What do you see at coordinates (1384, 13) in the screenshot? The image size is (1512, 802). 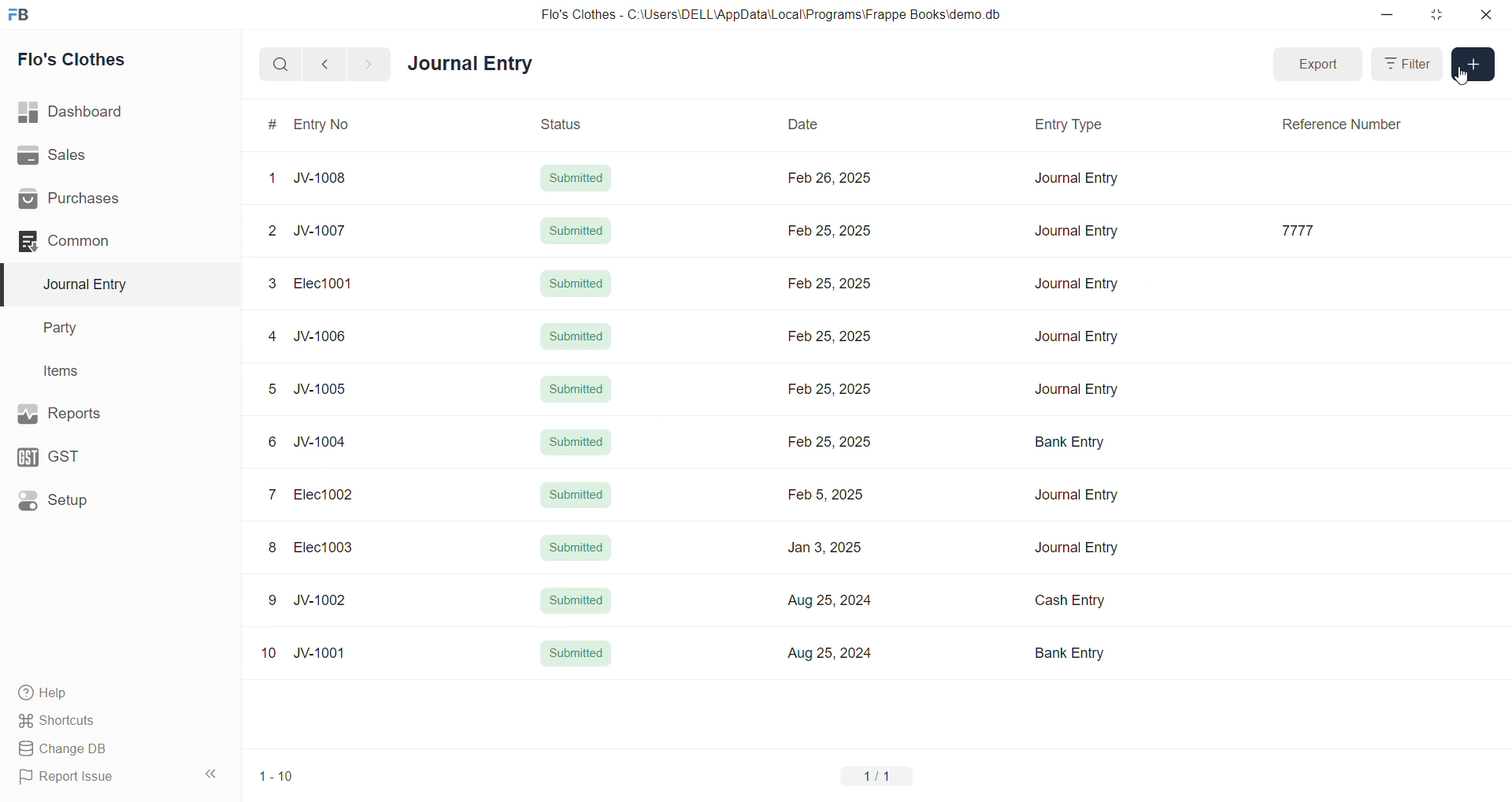 I see `minimize` at bounding box center [1384, 13].